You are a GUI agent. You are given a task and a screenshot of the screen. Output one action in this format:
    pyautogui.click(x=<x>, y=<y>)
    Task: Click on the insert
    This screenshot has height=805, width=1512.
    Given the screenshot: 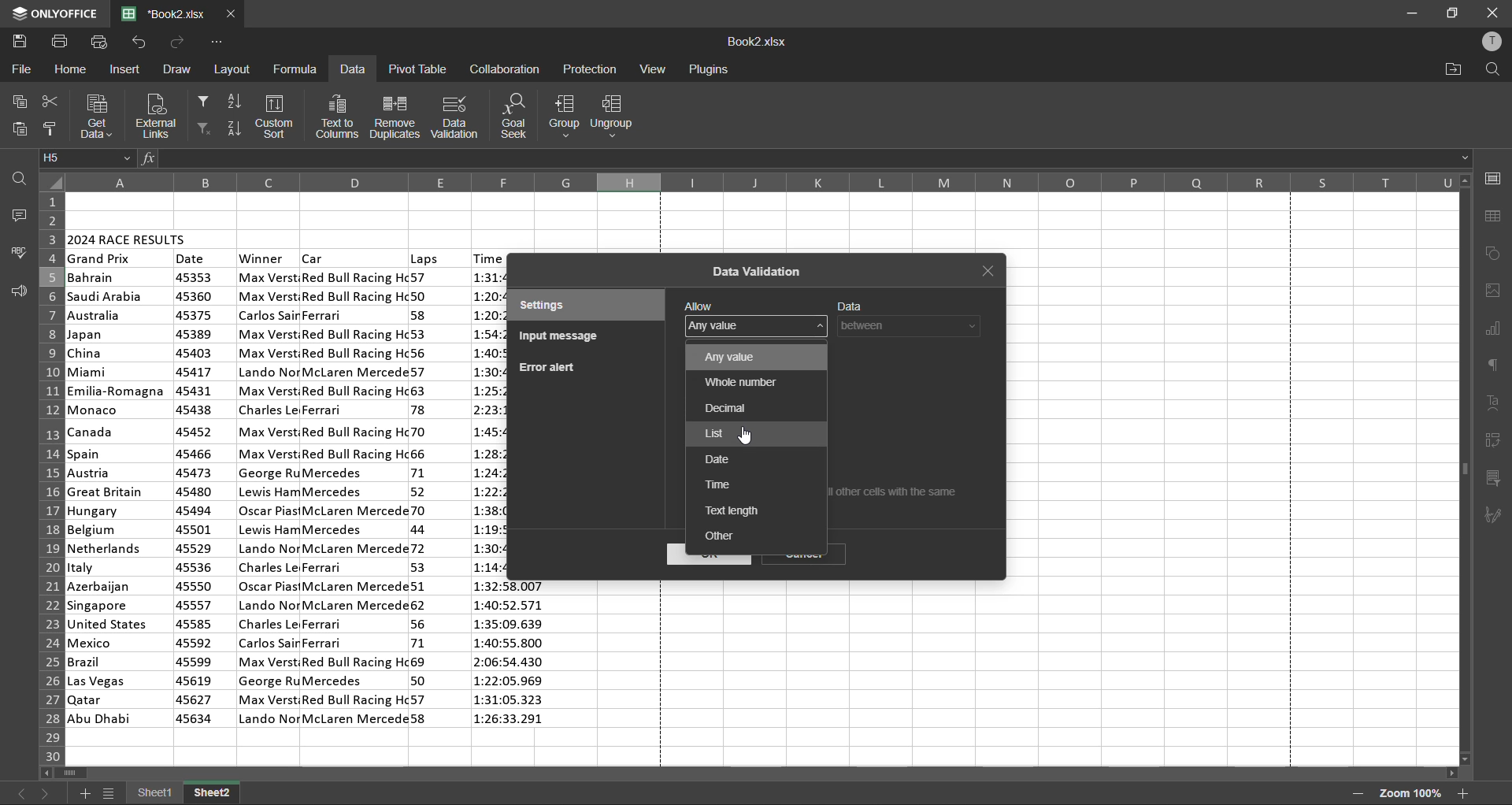 What is the action you would take?
    pyautogui.click(x=128, y=69)
    